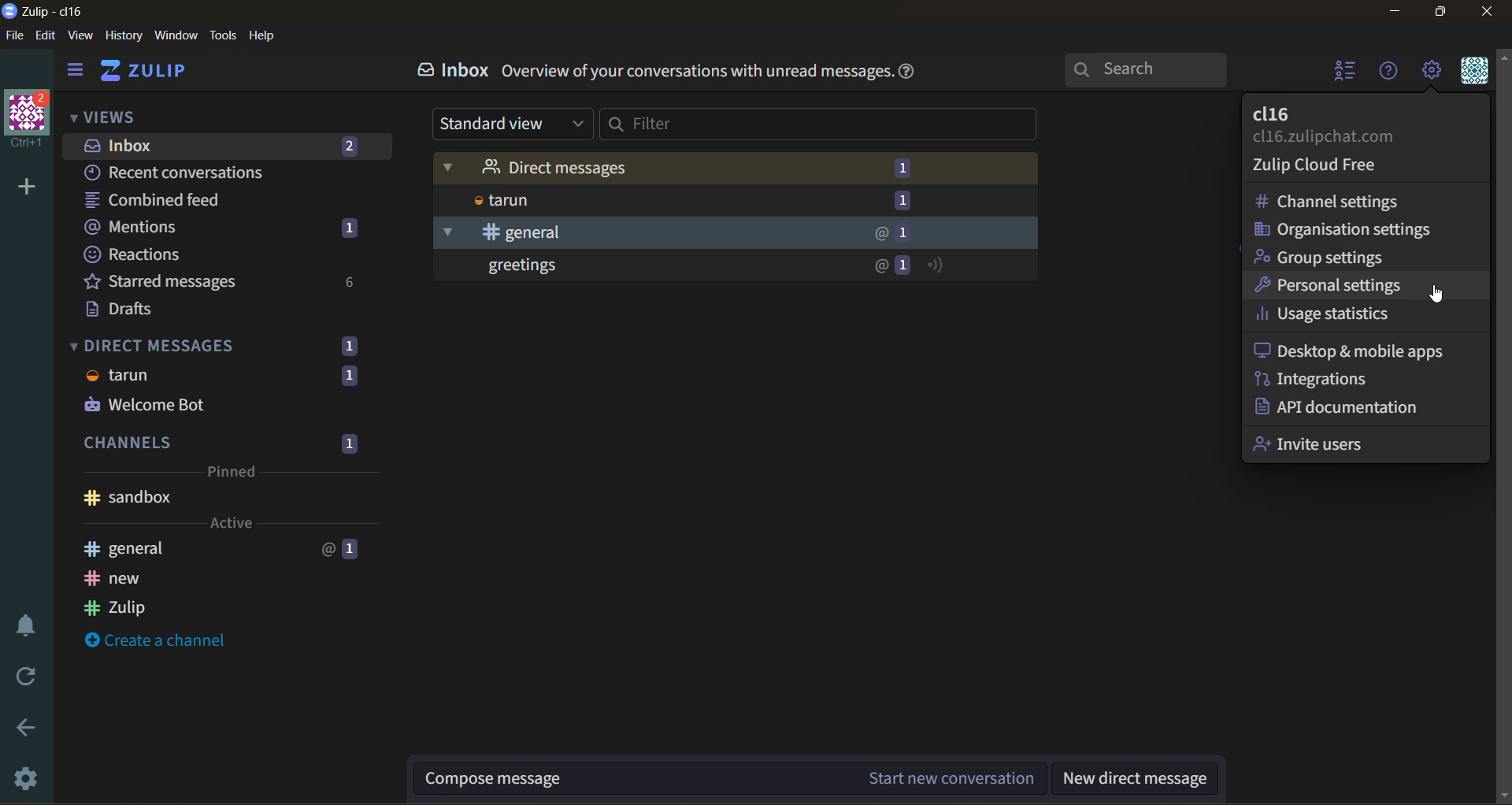 This screenshot has height=805, width=1512. Describe the element at coordinates (149, 74) in the screenshot. I see `home view` at that location.